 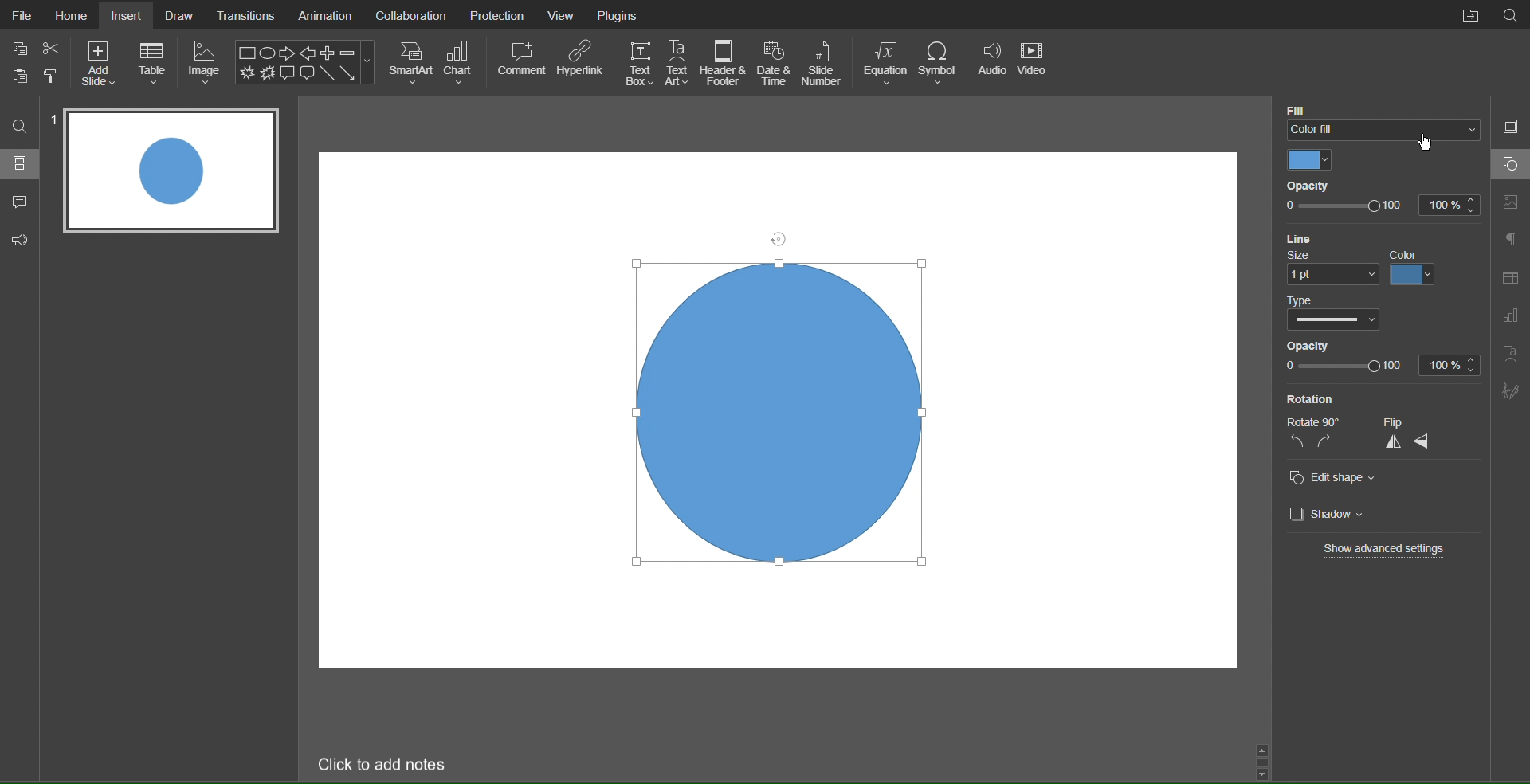 I want to click on Graph Settings, so click(x=1510, y=318).